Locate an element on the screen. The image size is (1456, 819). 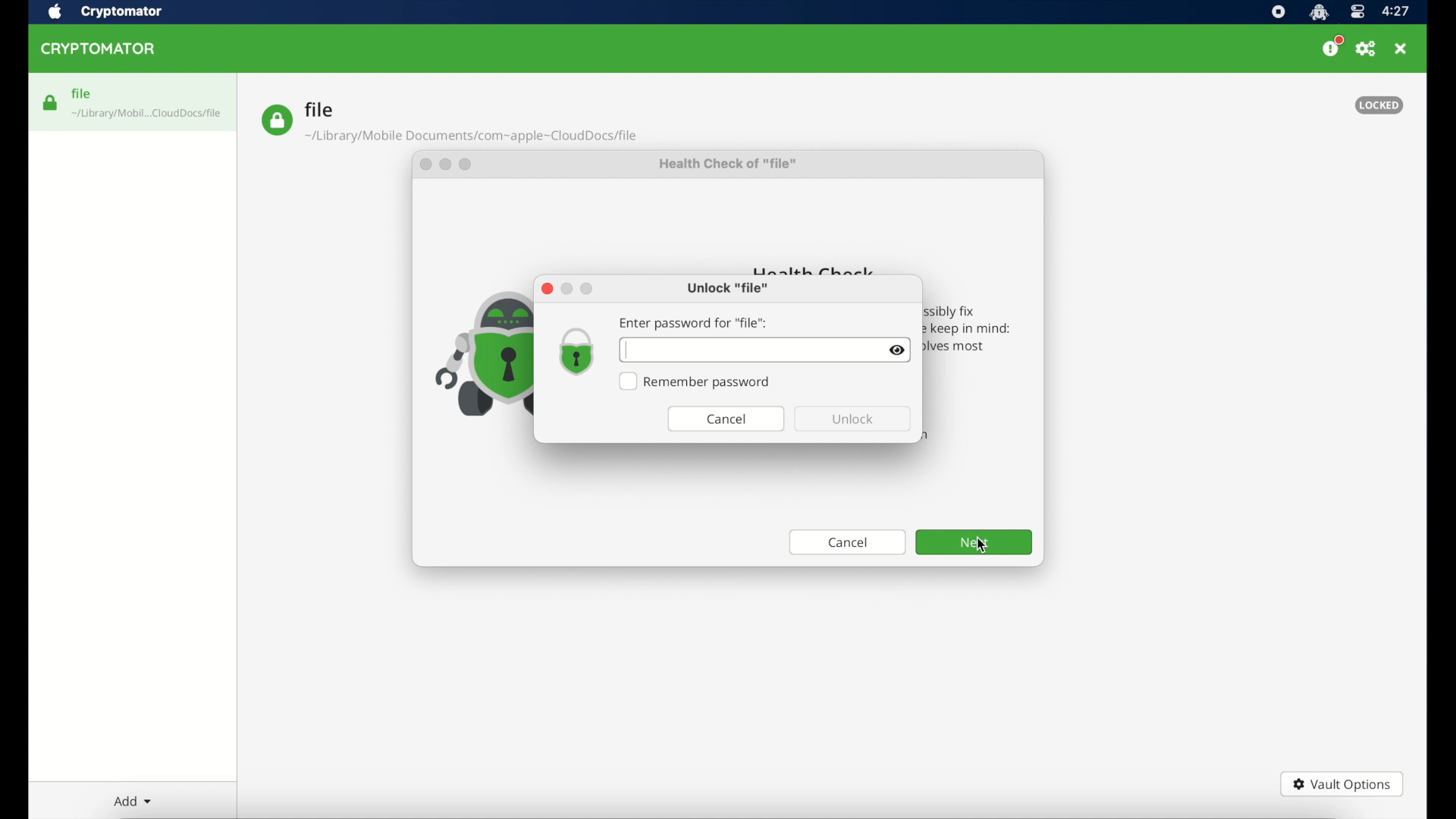
cancel is located at coordinates (849, 544).